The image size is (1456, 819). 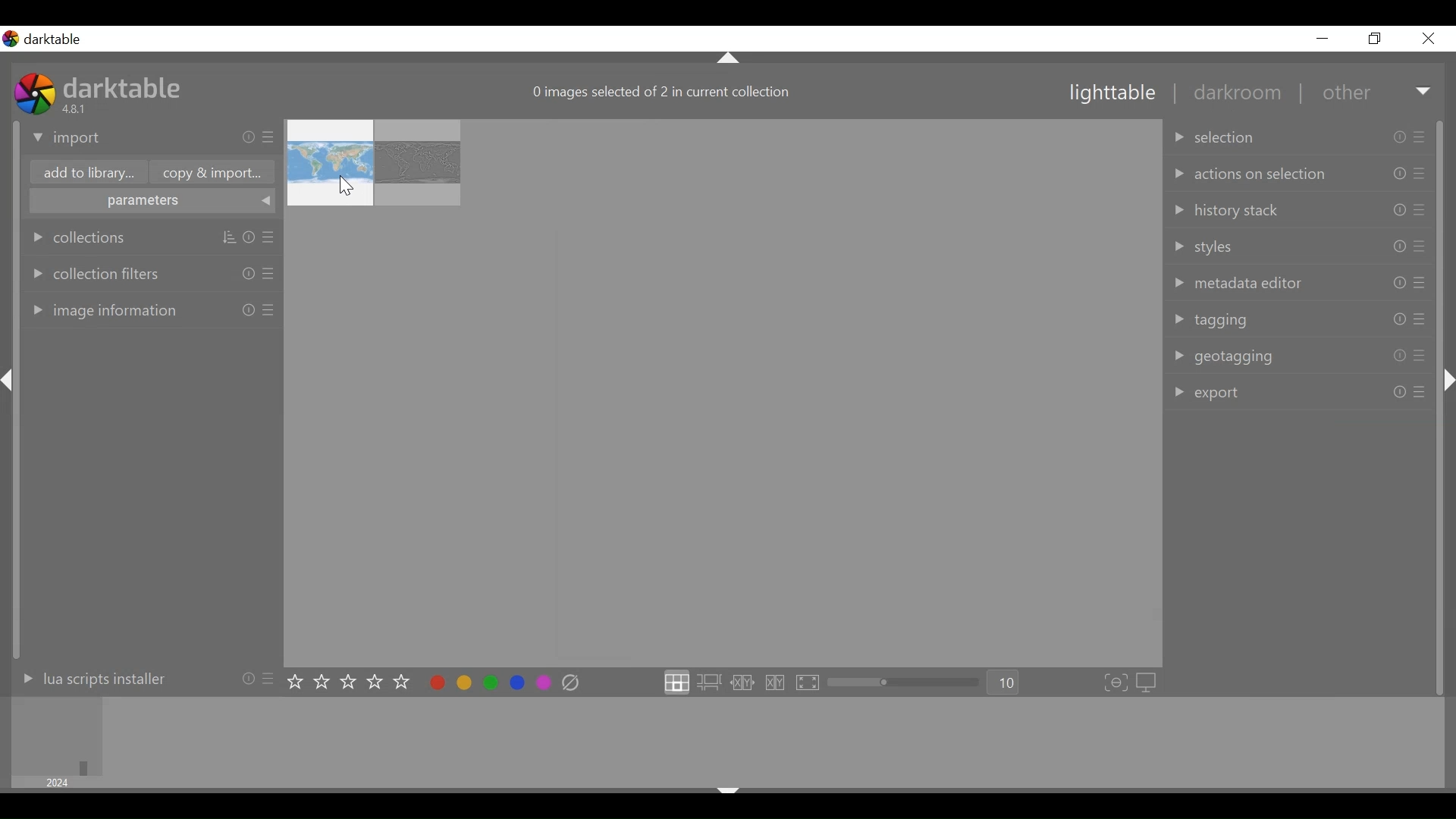 What do you see at coordinates (1322, 38) in the screenshot?
I see `minimize` at bounding box center [1322, 38].